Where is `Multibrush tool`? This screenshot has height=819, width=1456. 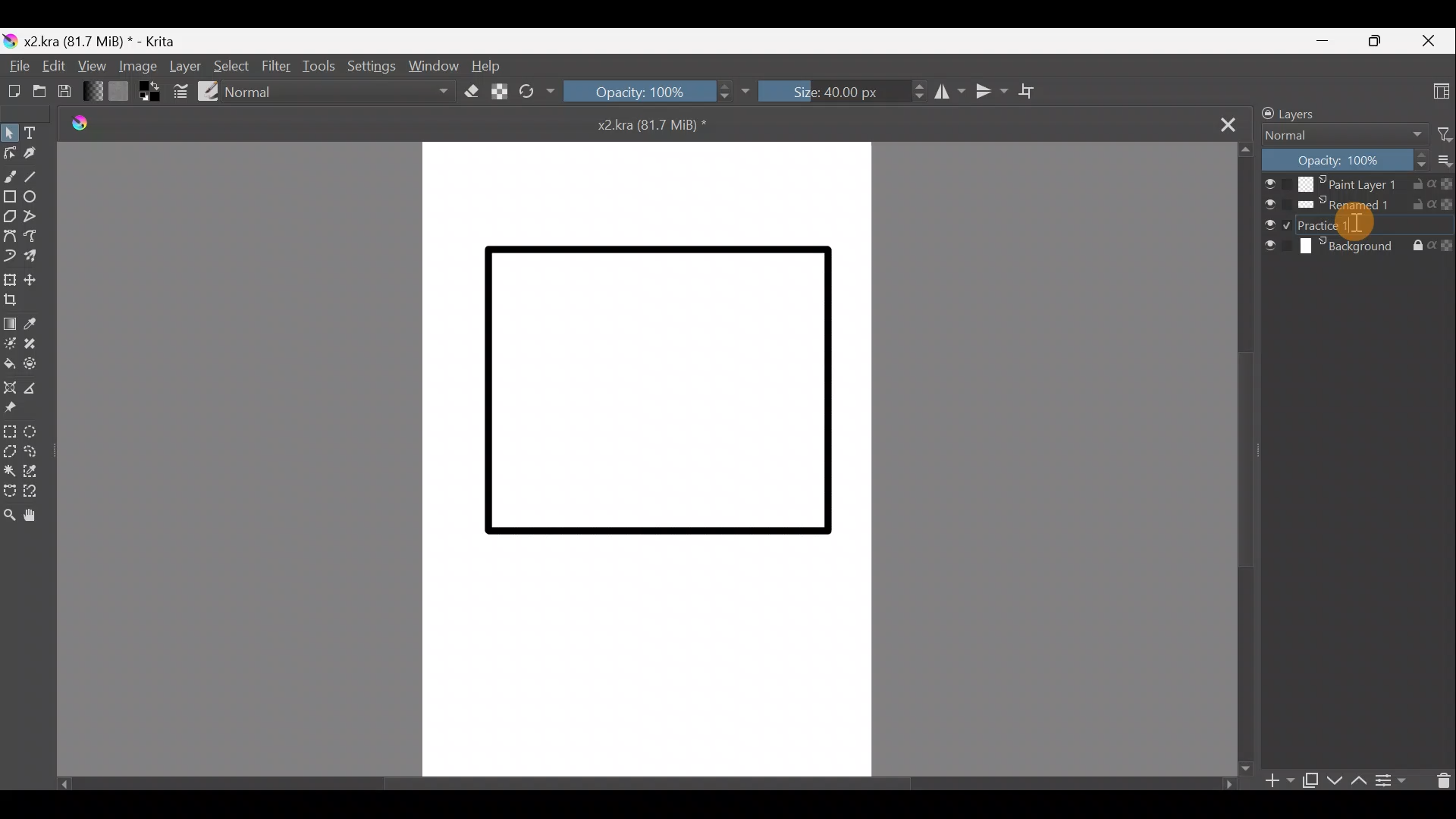 Multibrush tool is located at coordinates (38, 257).